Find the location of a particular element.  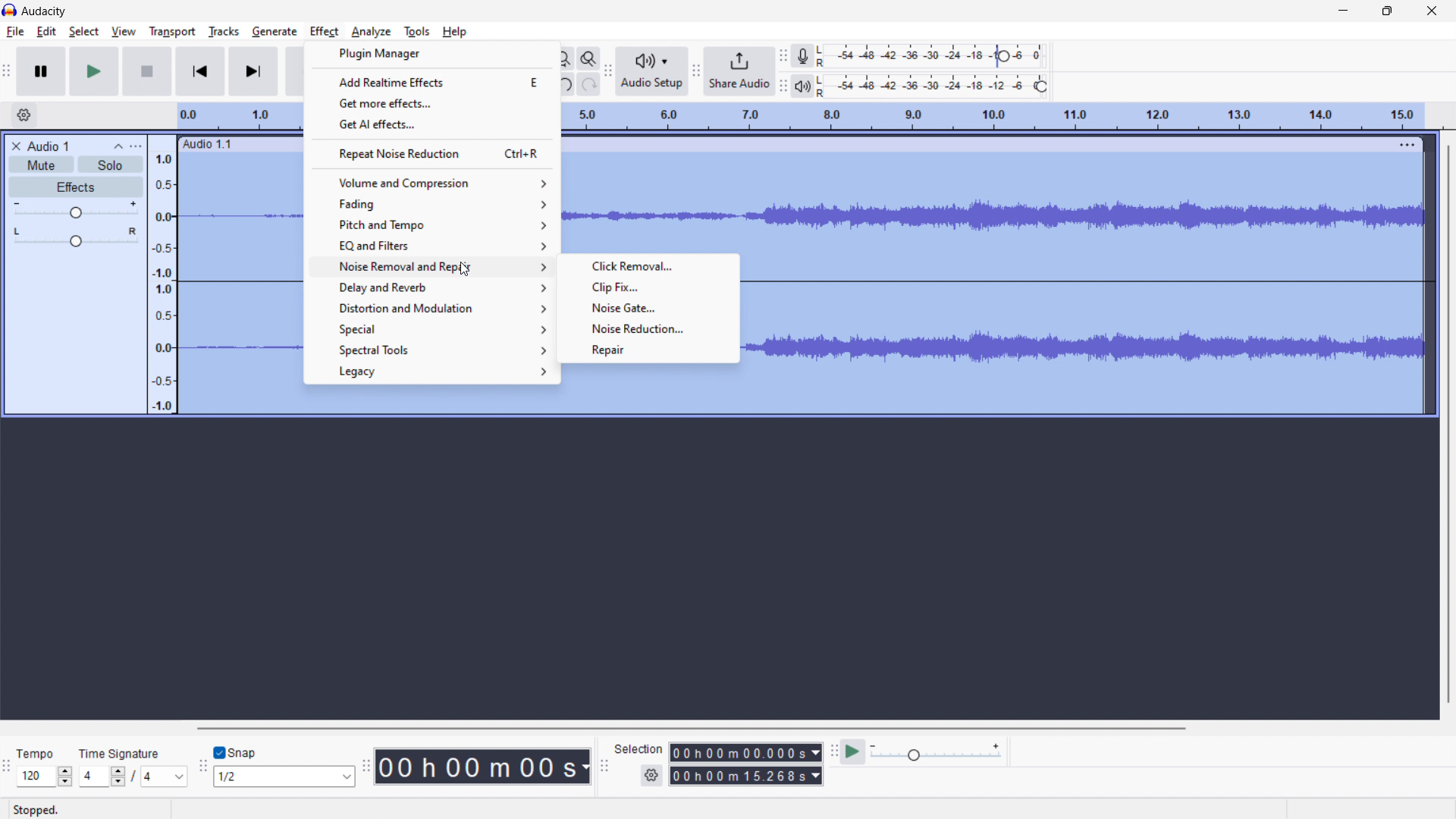

stop is located at coordinates (147, 71).